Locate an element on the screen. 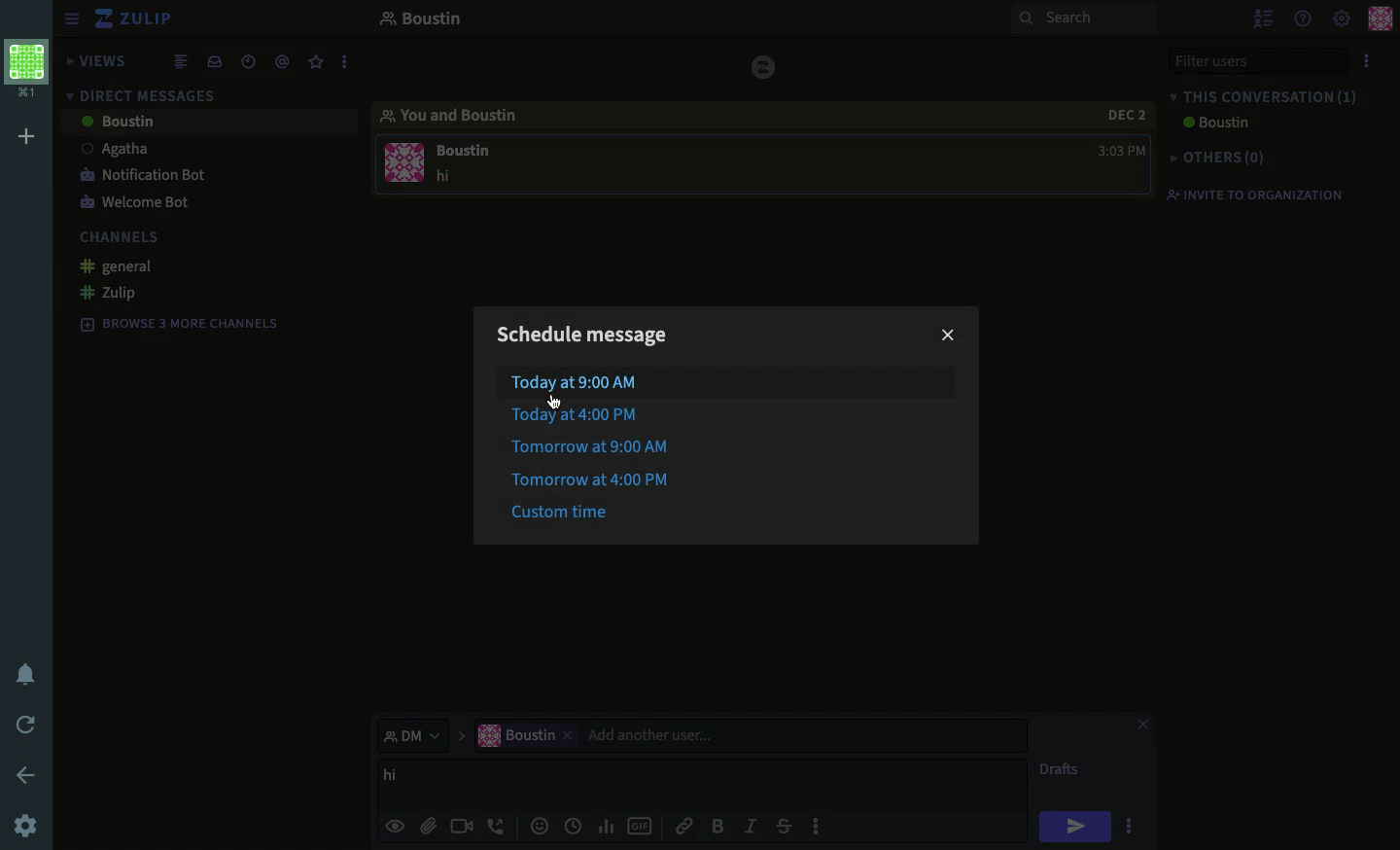  custom time is located at coordinates (556, 512).